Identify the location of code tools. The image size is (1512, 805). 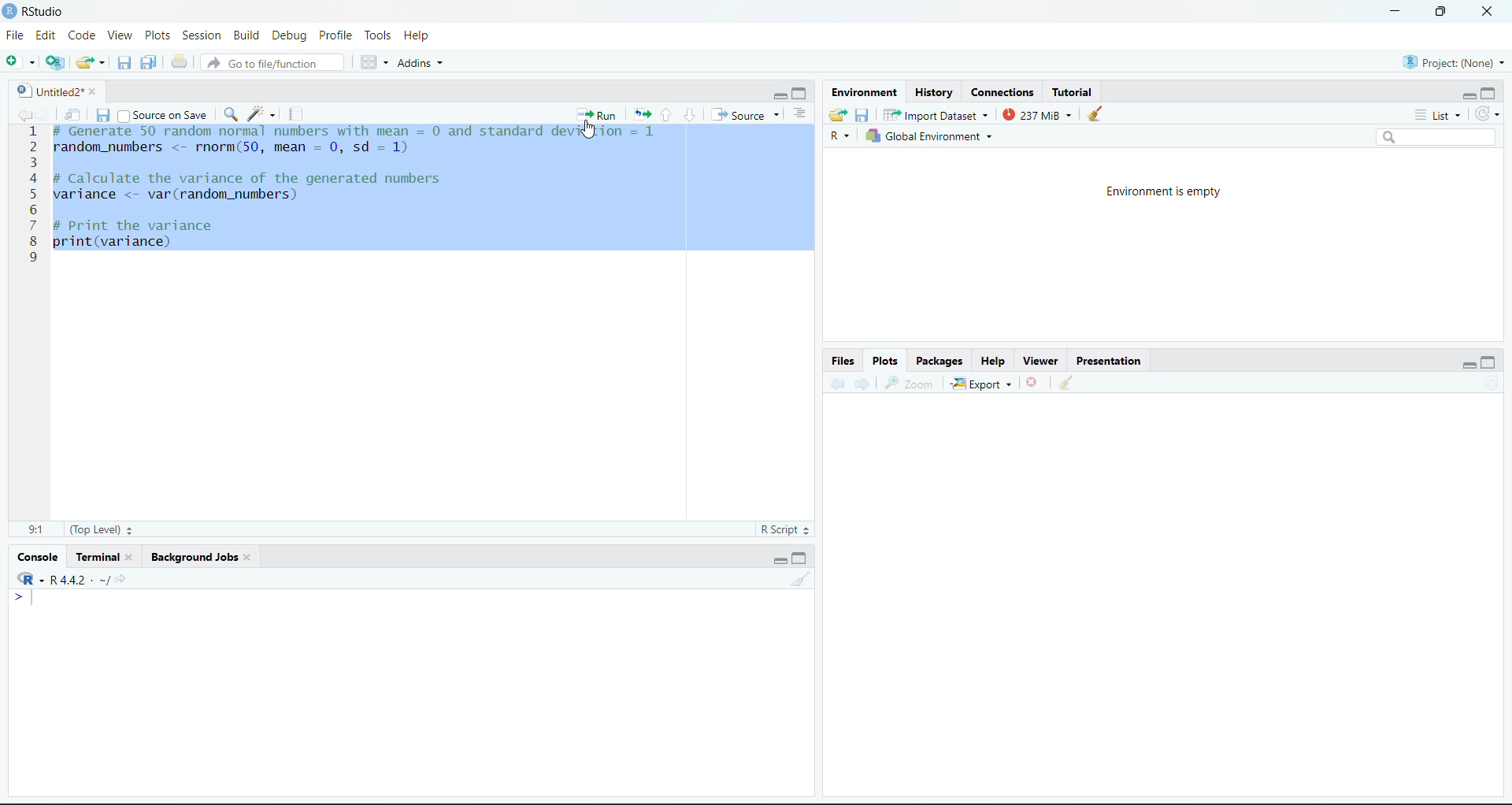
(262, 114).